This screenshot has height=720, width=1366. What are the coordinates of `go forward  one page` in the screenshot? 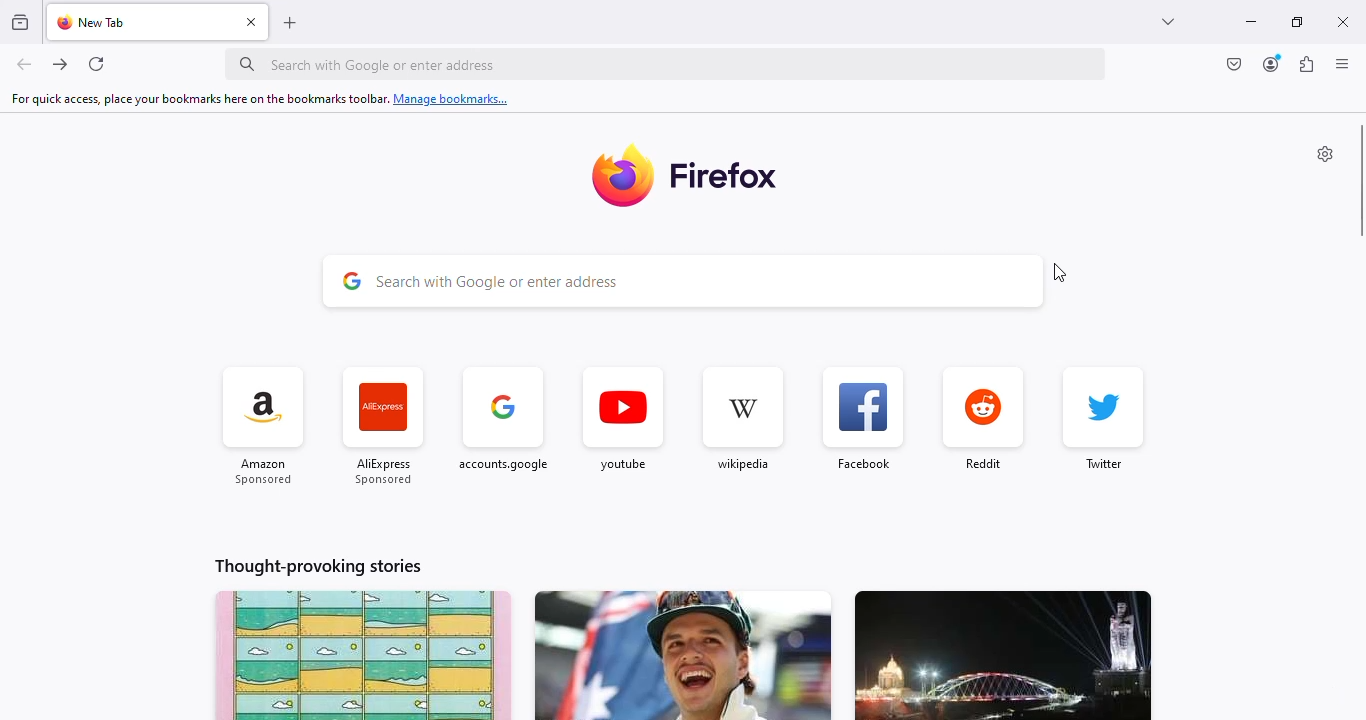 It's located at (61, 64).